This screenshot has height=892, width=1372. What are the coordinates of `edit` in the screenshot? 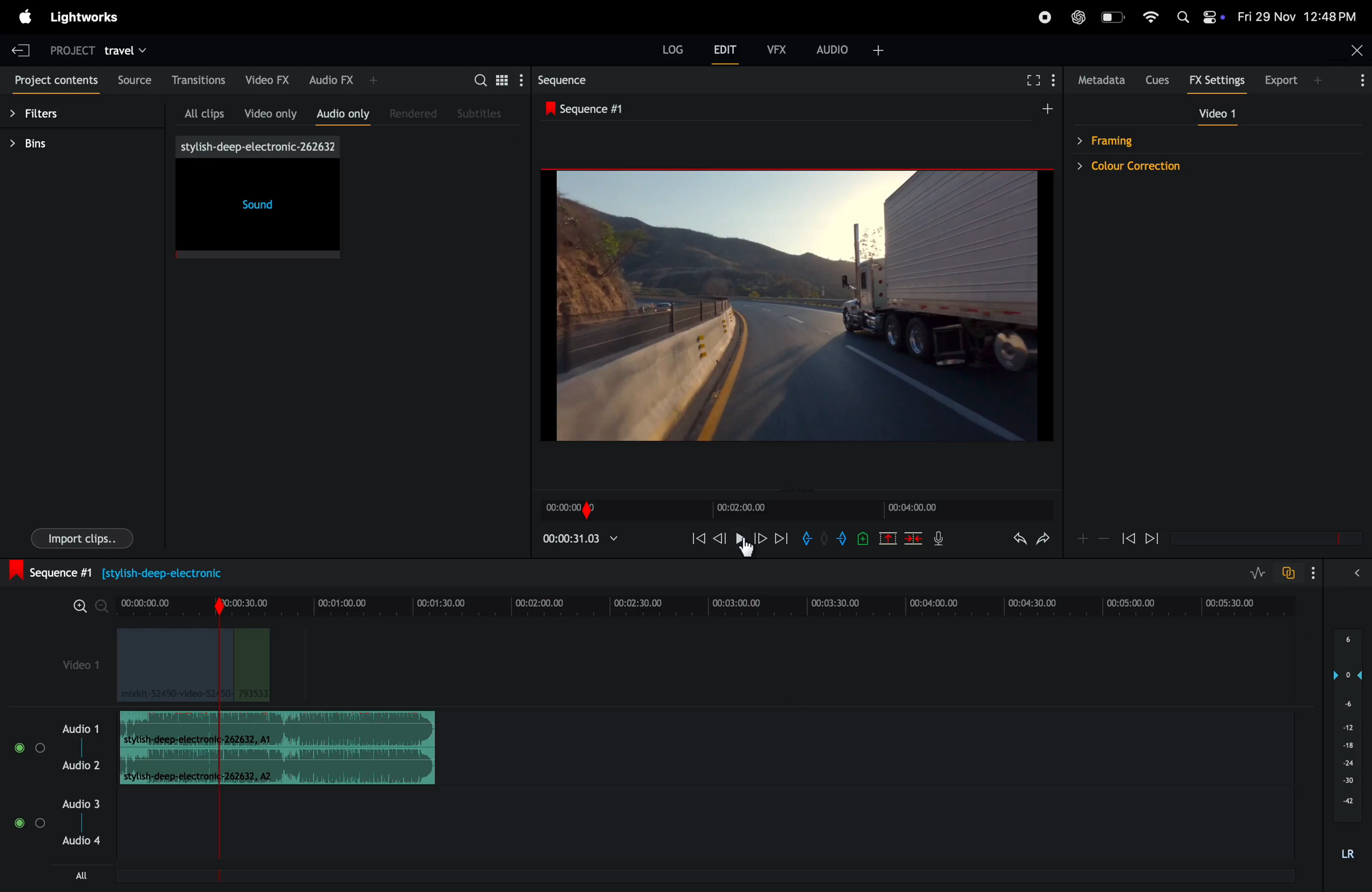 It's located at (726, 52).